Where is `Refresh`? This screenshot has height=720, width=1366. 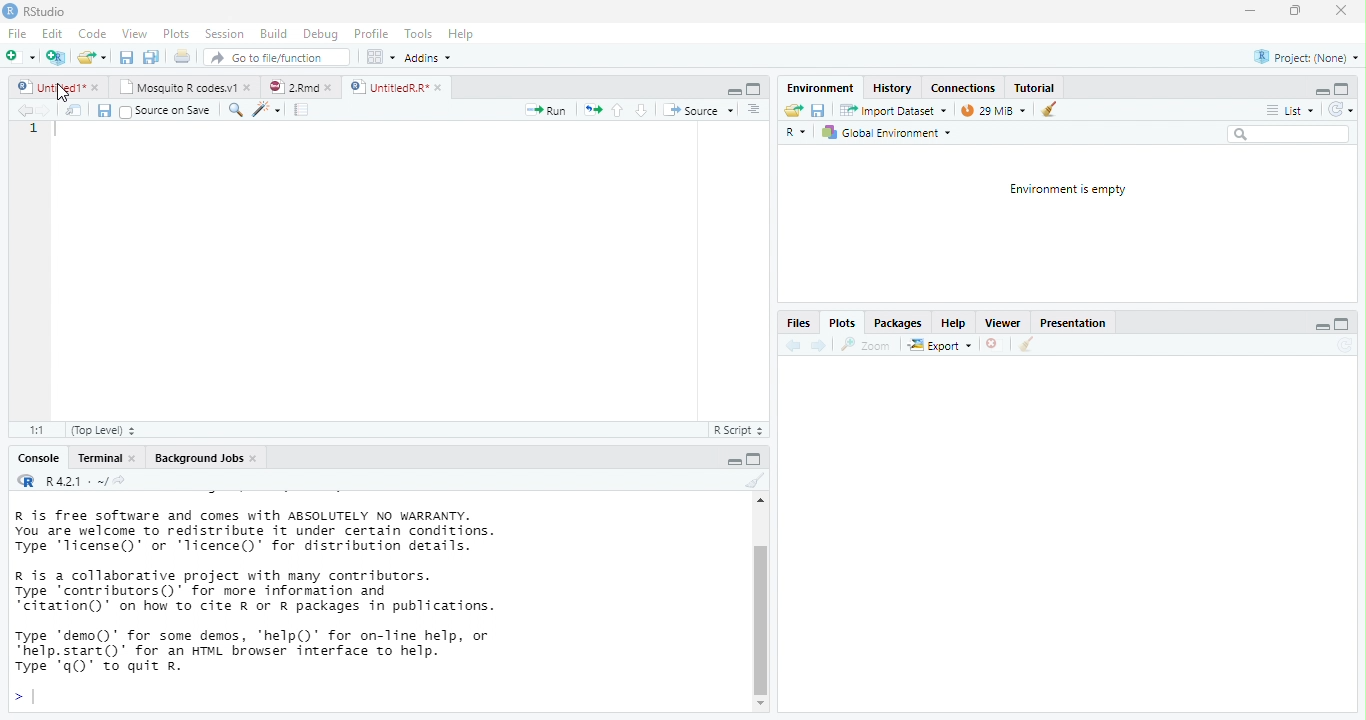 Refresh is located at coordinates (1341, 110).